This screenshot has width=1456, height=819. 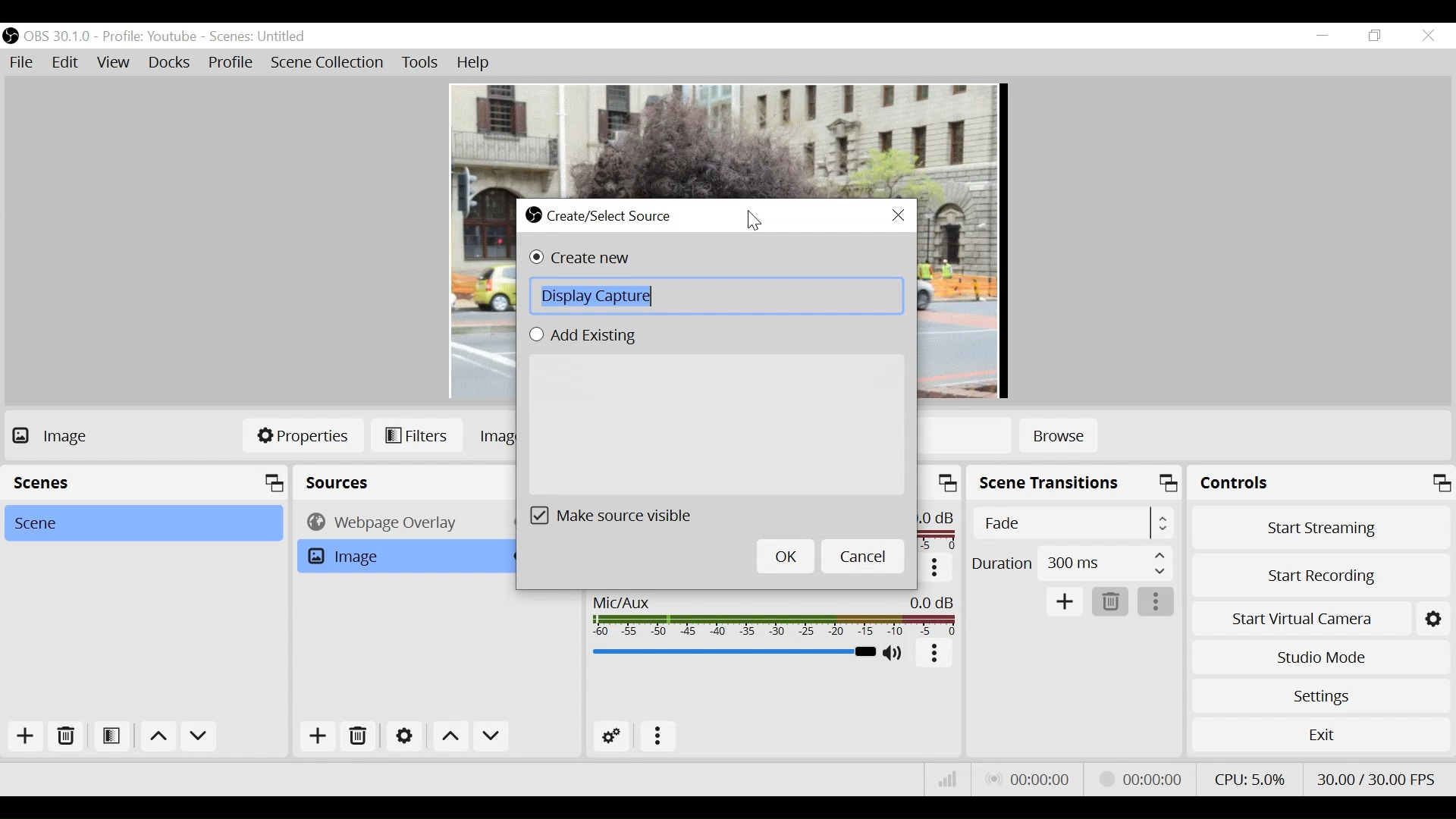 What do you see at coordinates (404, 736) in the screenshot?
I see `Settings` at bounding box center [404, 736].